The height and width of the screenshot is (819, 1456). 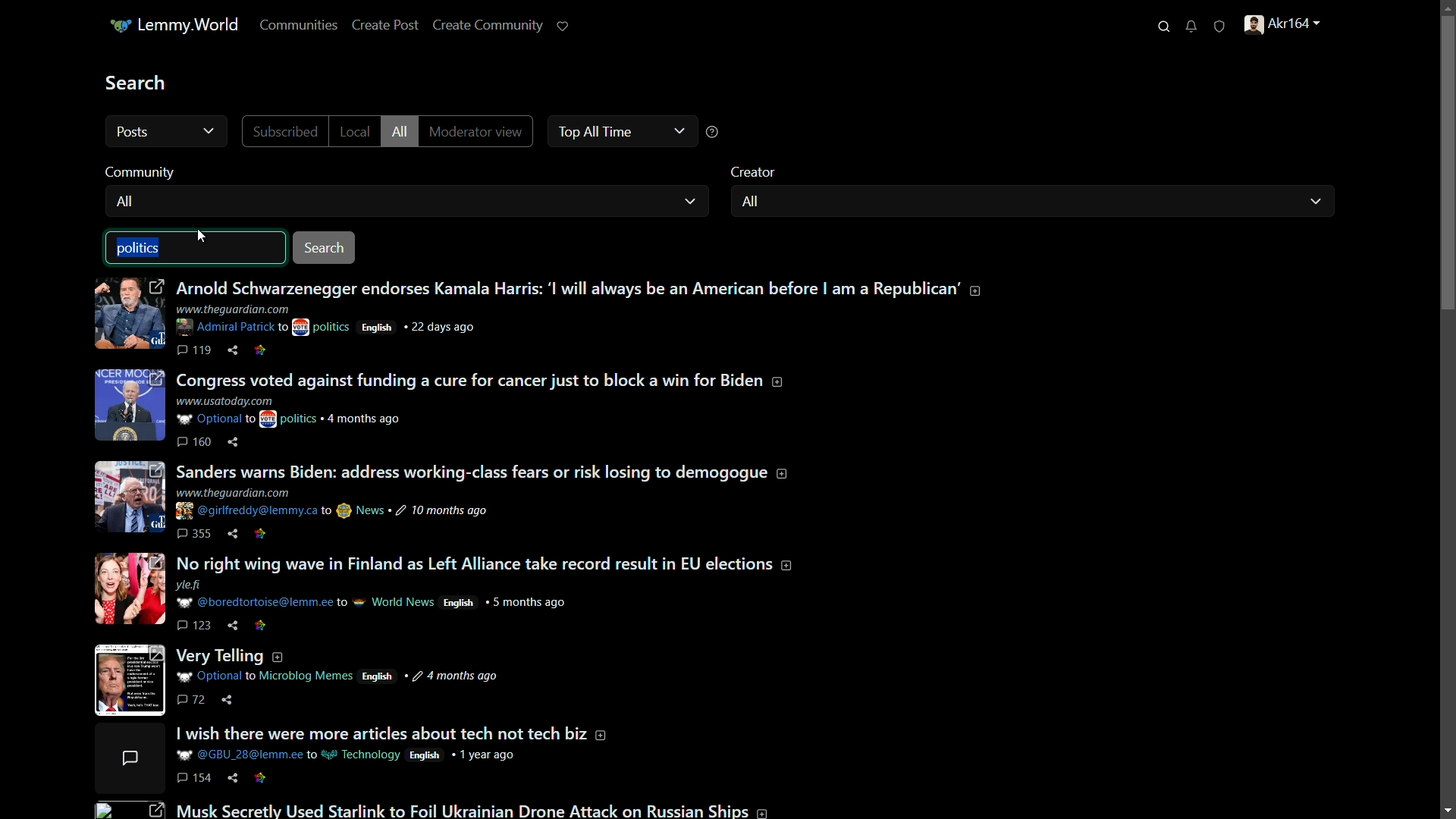 I want to click on support lemmy.world, so click(x=564, y=27).